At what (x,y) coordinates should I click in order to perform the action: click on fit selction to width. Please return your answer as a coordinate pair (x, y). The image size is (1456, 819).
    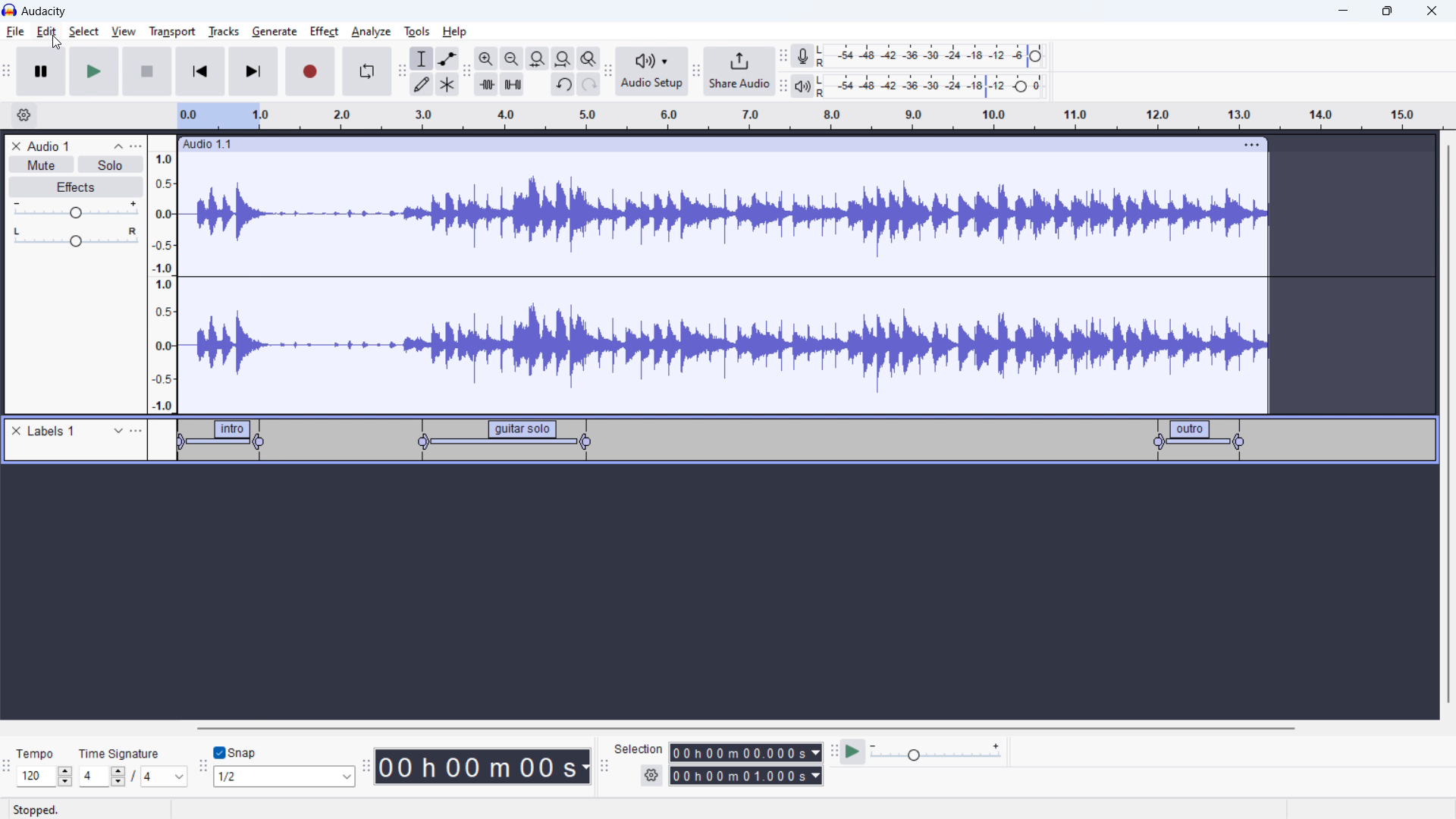
    Looking at the image, I should click on (538, 59).